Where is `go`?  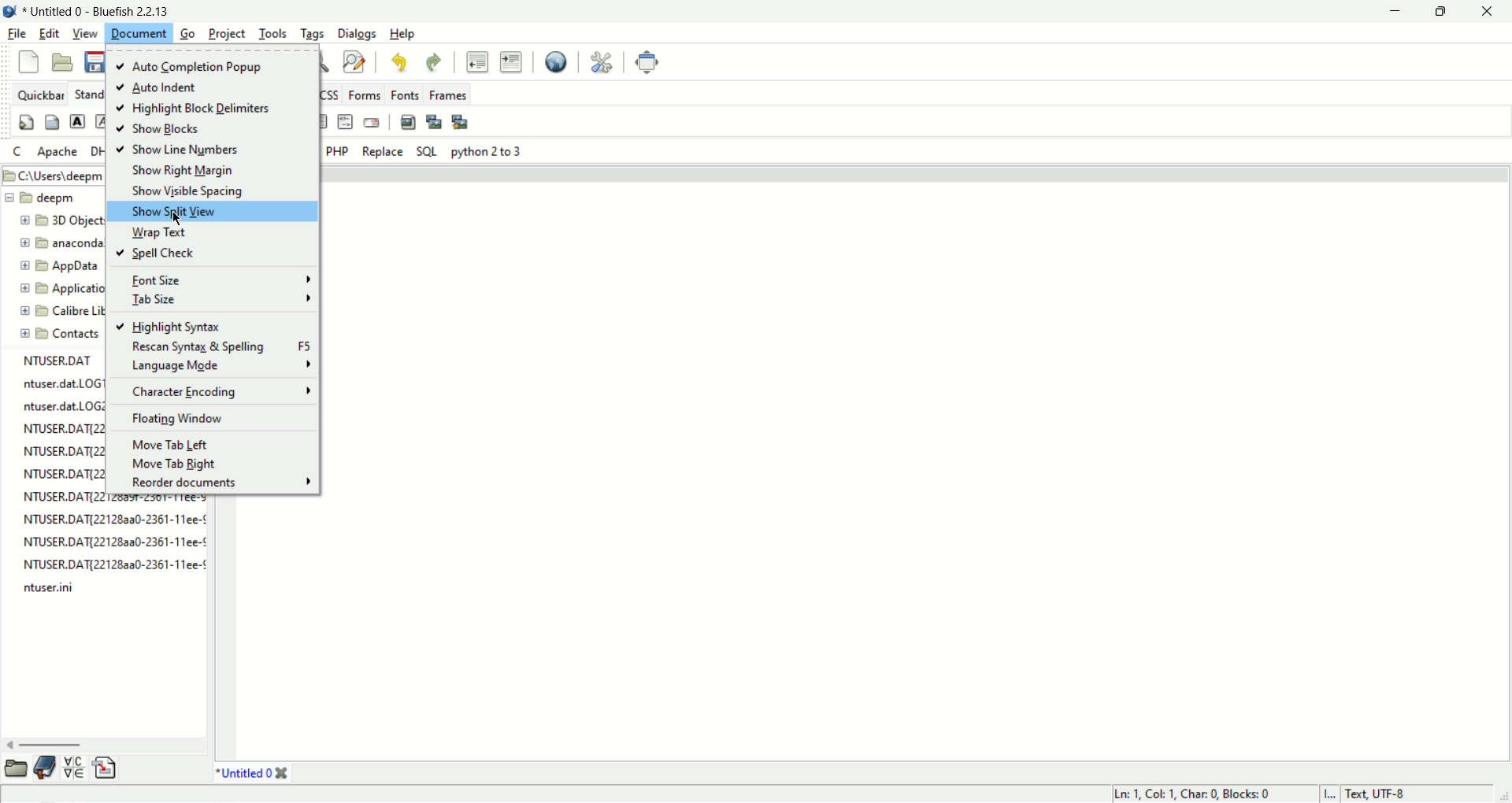
go is located at coordinates (190, 34).